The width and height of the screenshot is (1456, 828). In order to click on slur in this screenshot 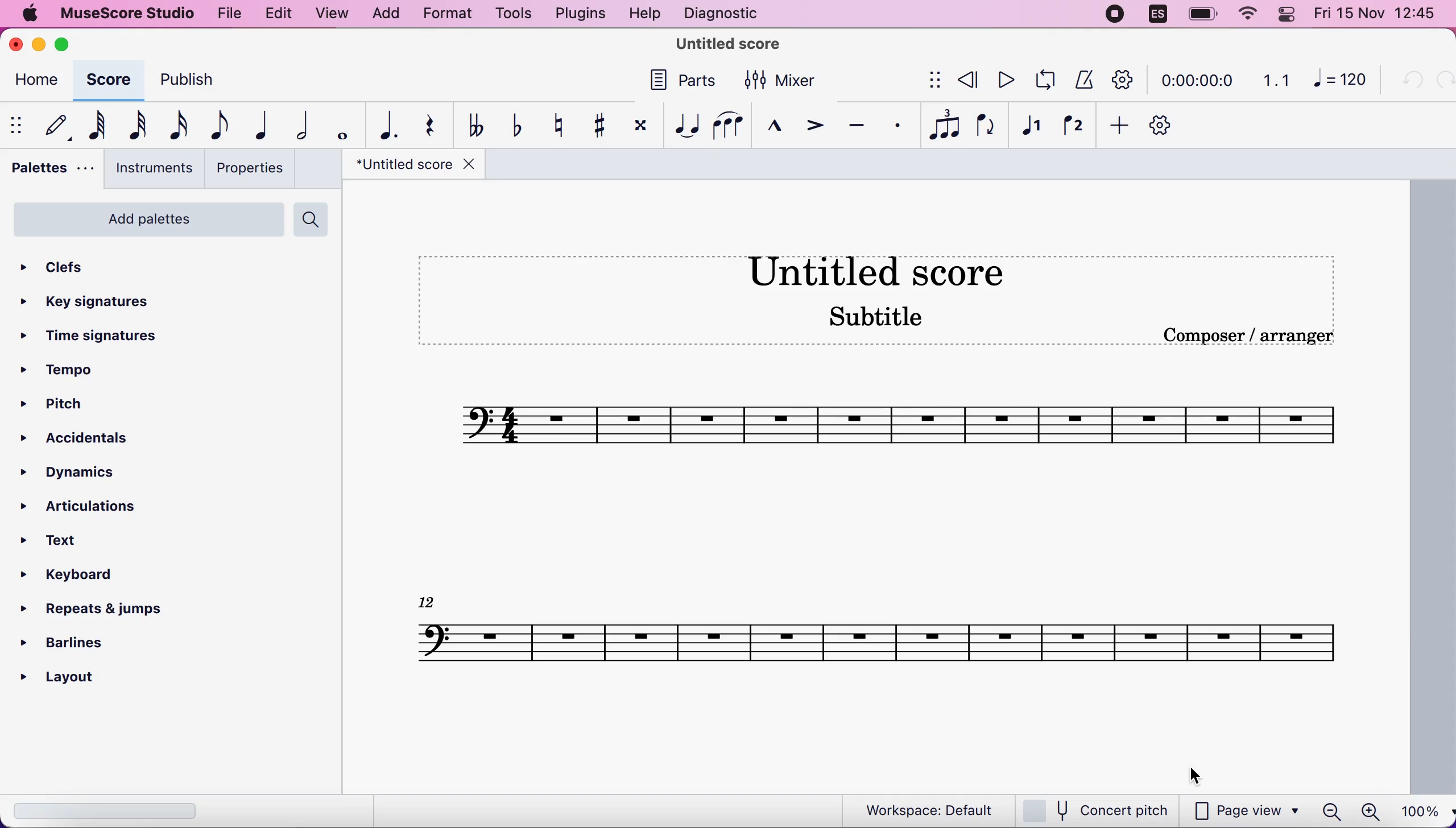, I will do `click(728, 123)`.